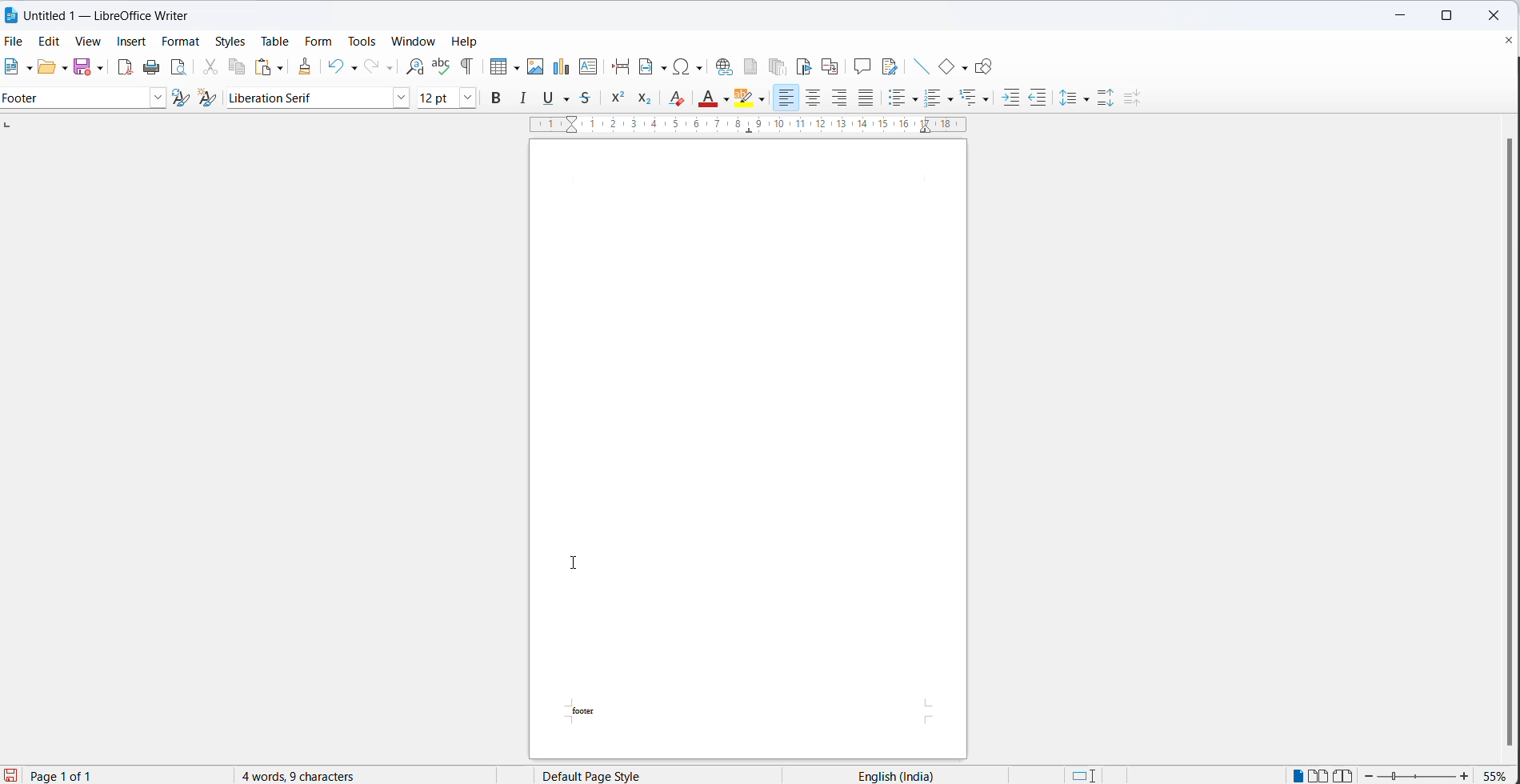 The image size is (1520, 784). Describe the element at coordinates (10, 776) in the screenshot. I see `save` at that location.